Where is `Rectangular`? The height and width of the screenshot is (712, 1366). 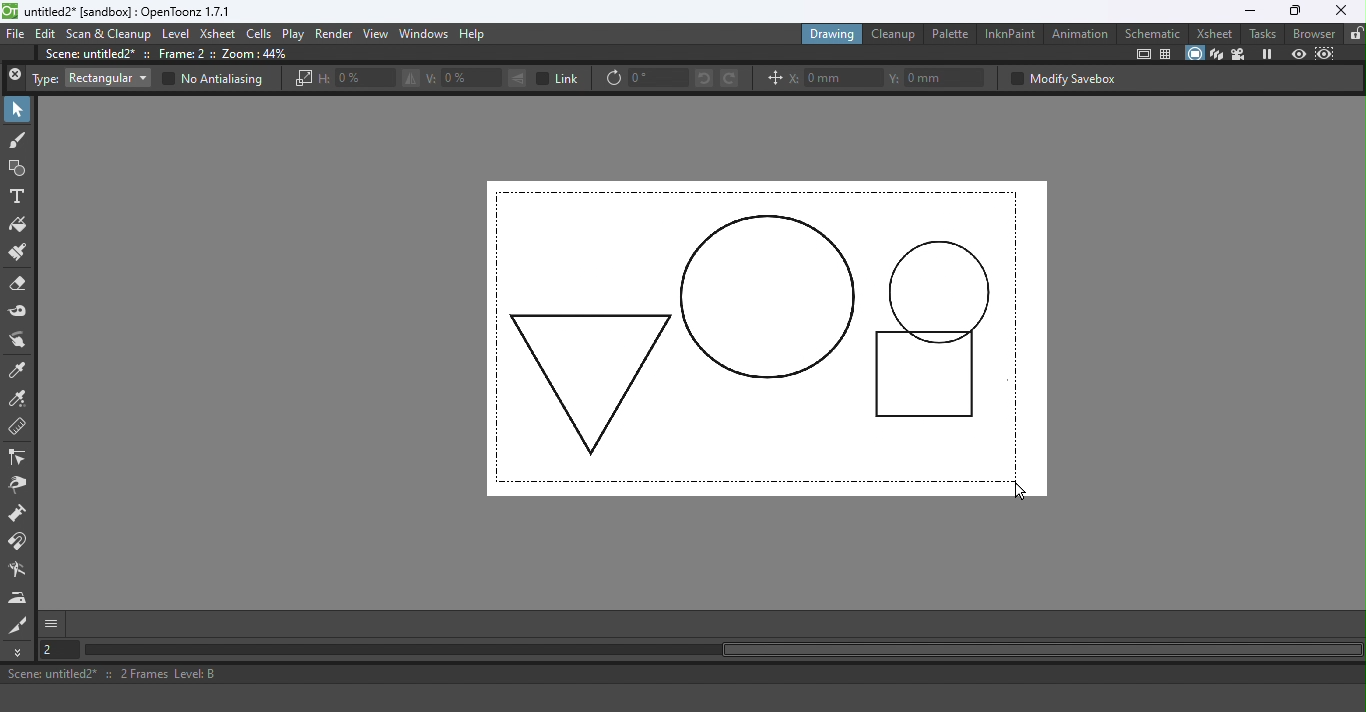 Rectangular is located at coordinates (107, 78).